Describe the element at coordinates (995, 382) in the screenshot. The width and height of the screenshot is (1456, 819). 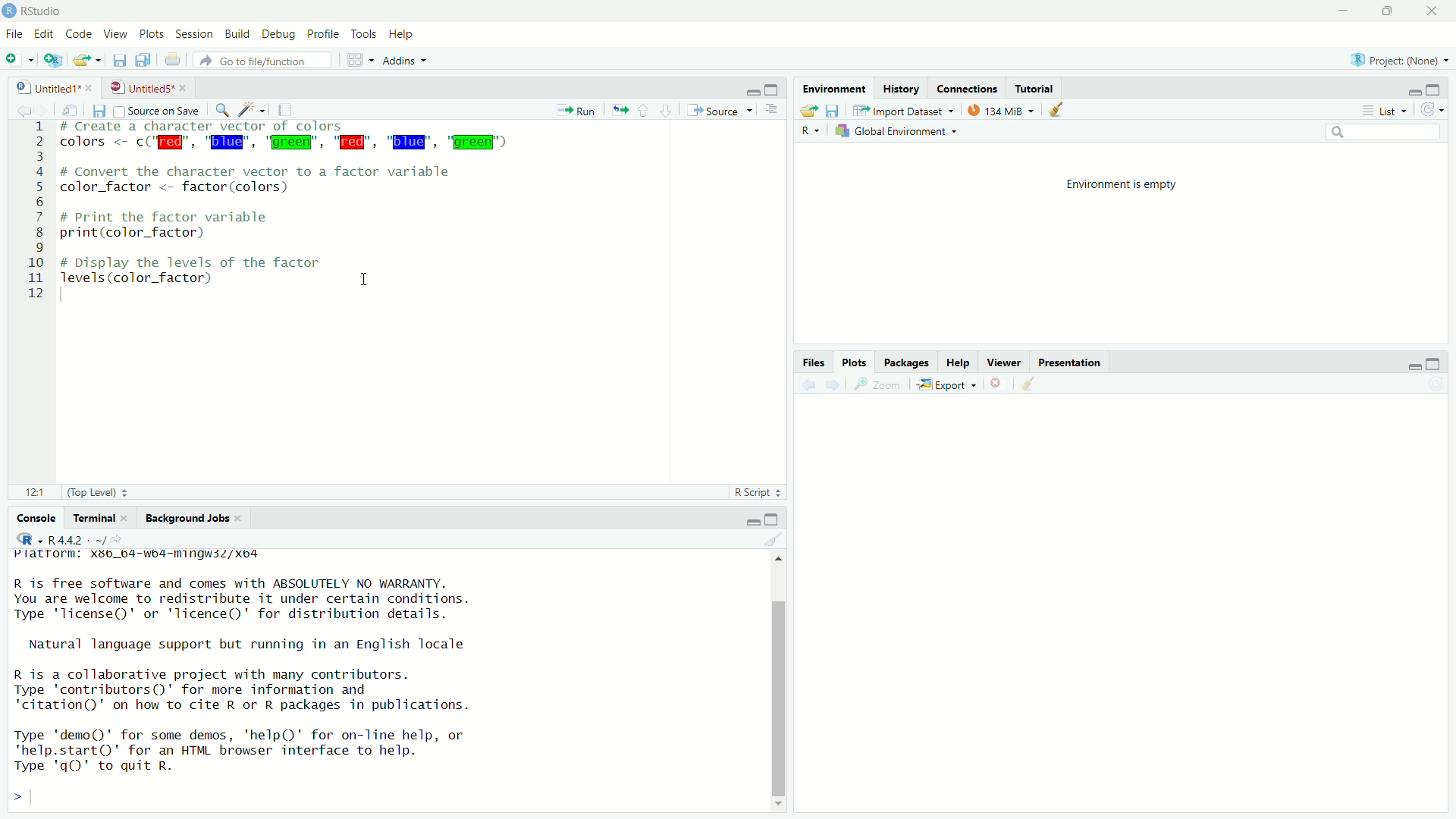
I see `remove the current plot` at that location.